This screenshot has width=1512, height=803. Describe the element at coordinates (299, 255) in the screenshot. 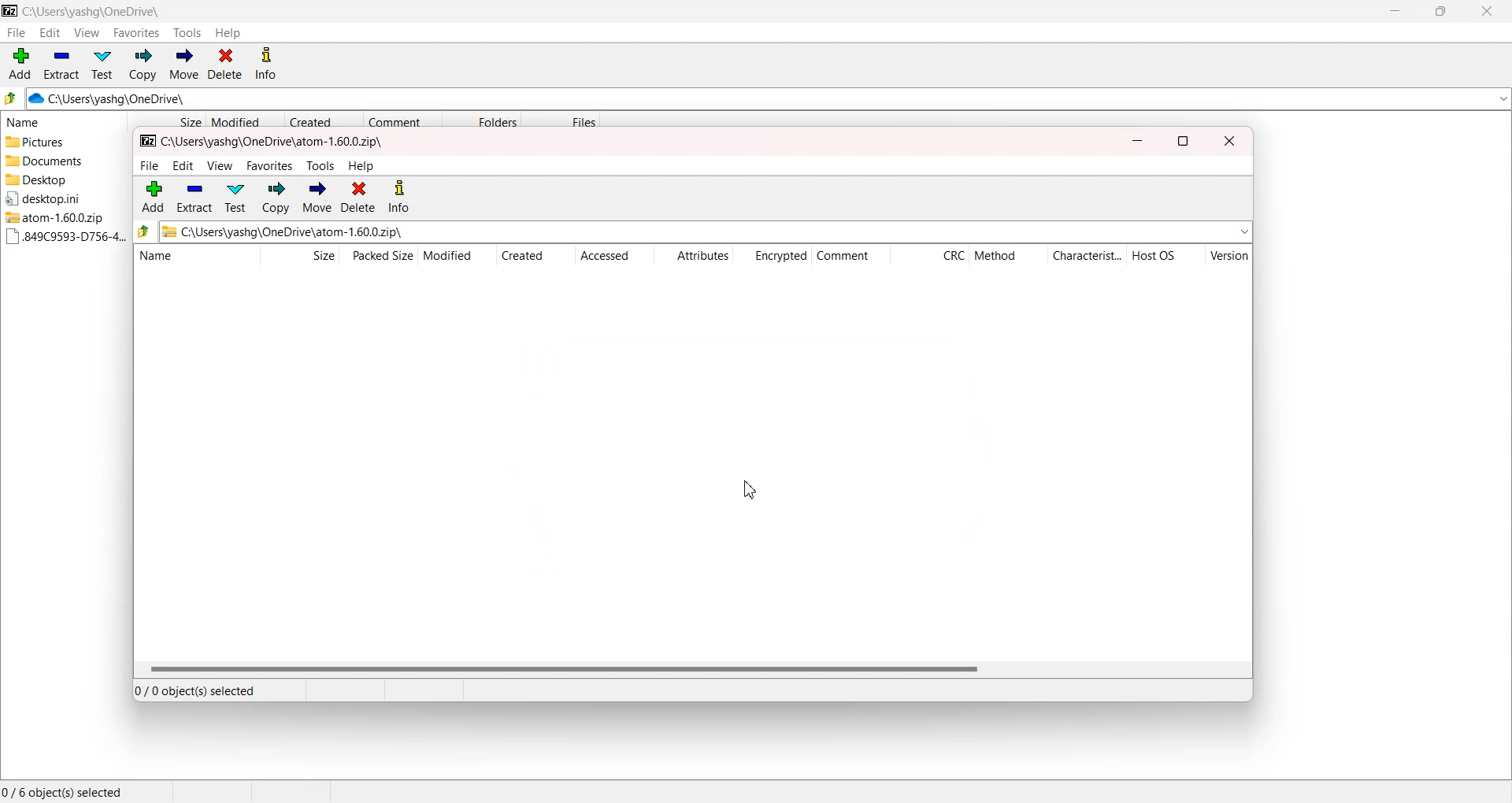

I see `Size` at that location.